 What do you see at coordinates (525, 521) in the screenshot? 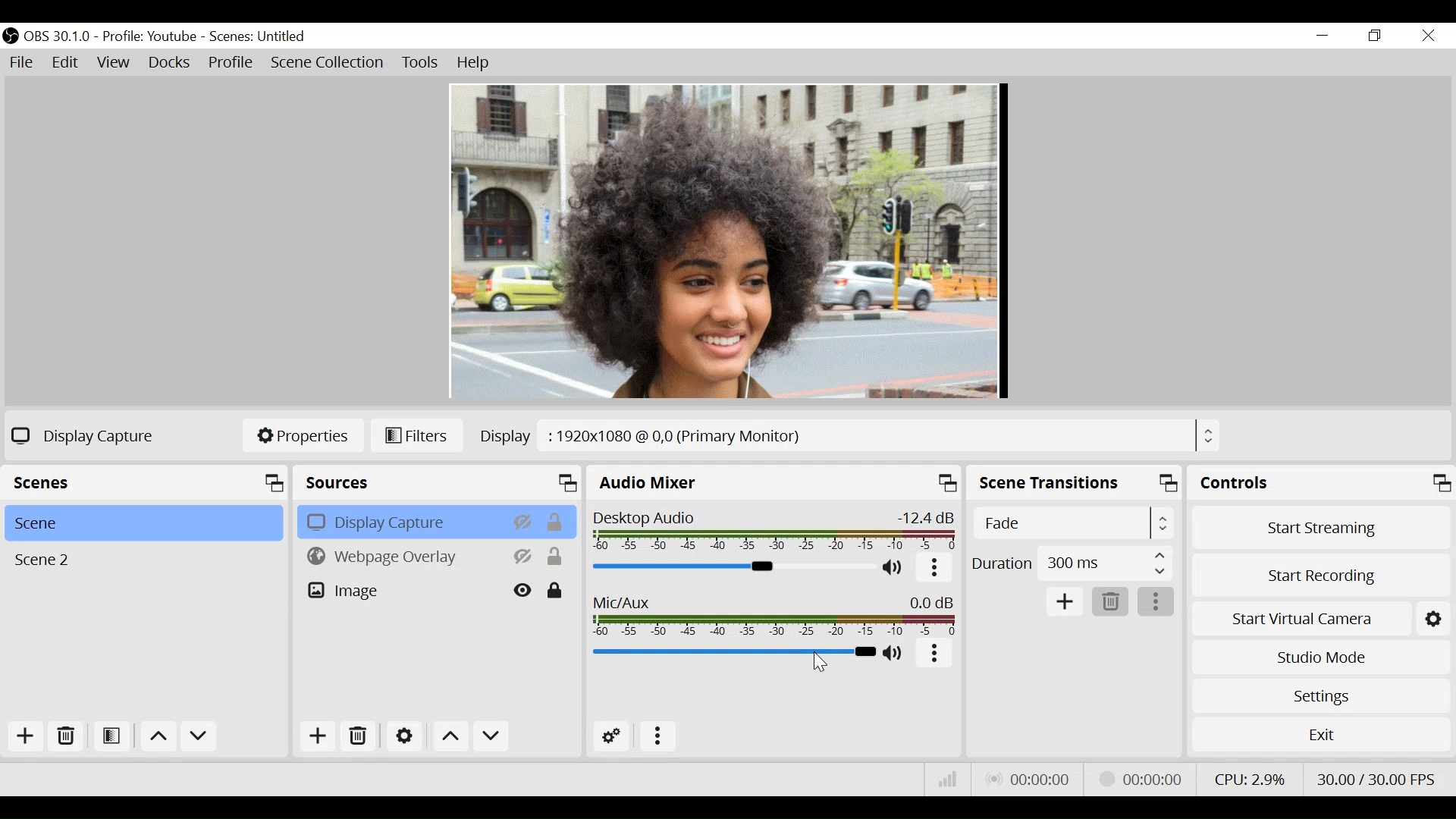
I see `hide/display` at bounding box center [525, 521].